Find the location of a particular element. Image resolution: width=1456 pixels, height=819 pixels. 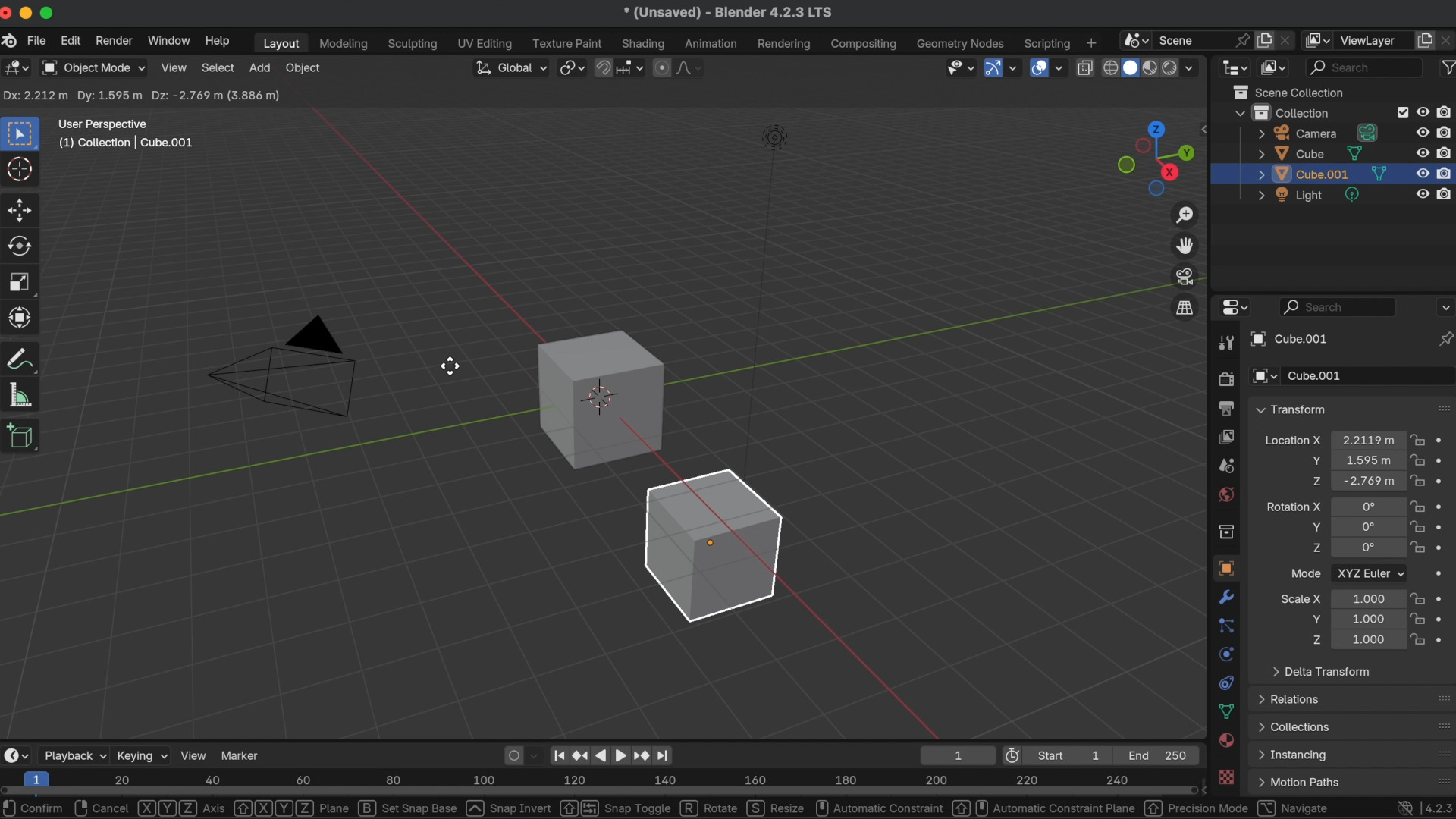

snap Toggle is located at coordinates (614, 808).